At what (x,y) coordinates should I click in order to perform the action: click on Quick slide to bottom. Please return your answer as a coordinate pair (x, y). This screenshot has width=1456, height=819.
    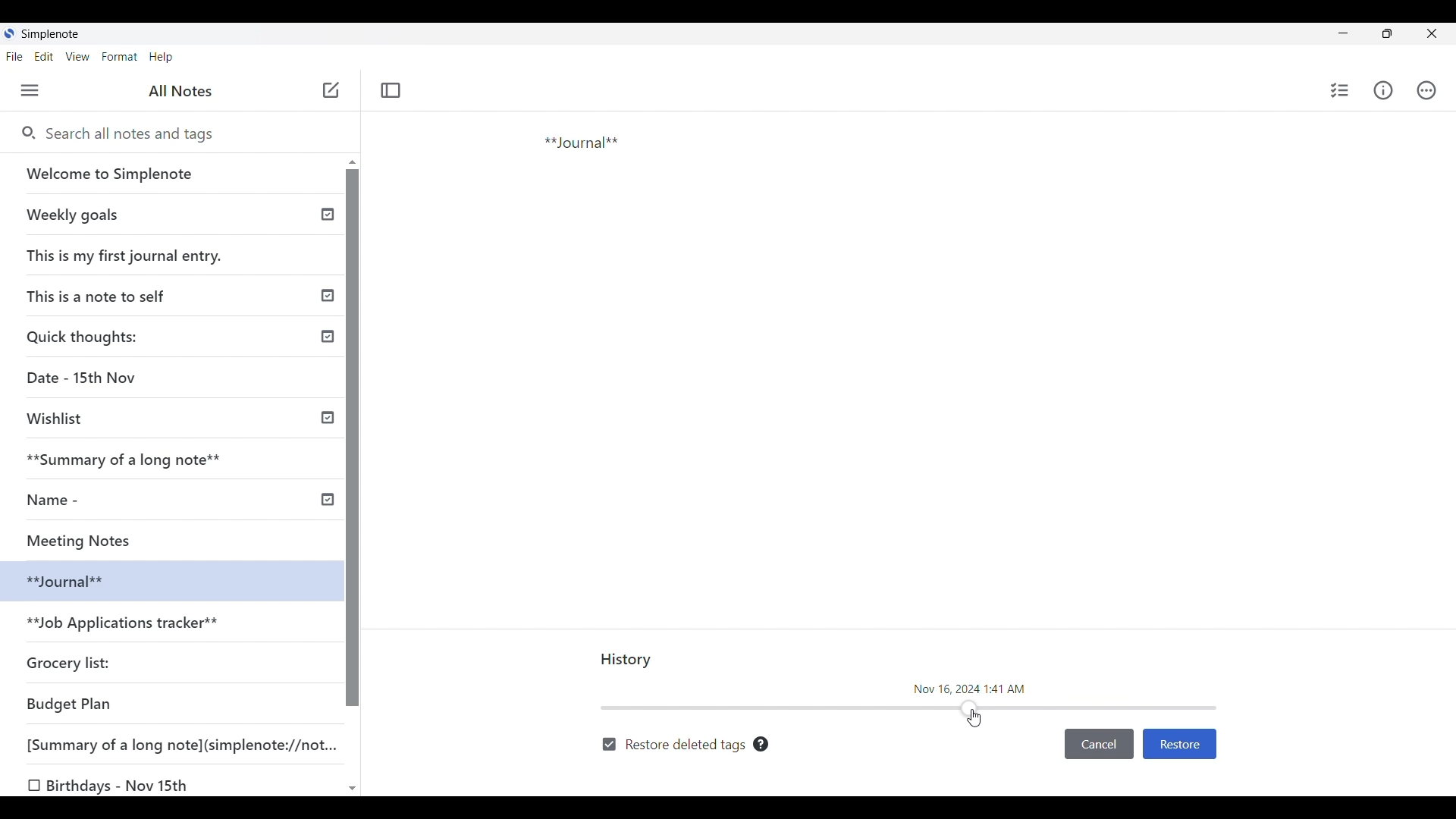
    Looking at the image, I should click on (353, 789).